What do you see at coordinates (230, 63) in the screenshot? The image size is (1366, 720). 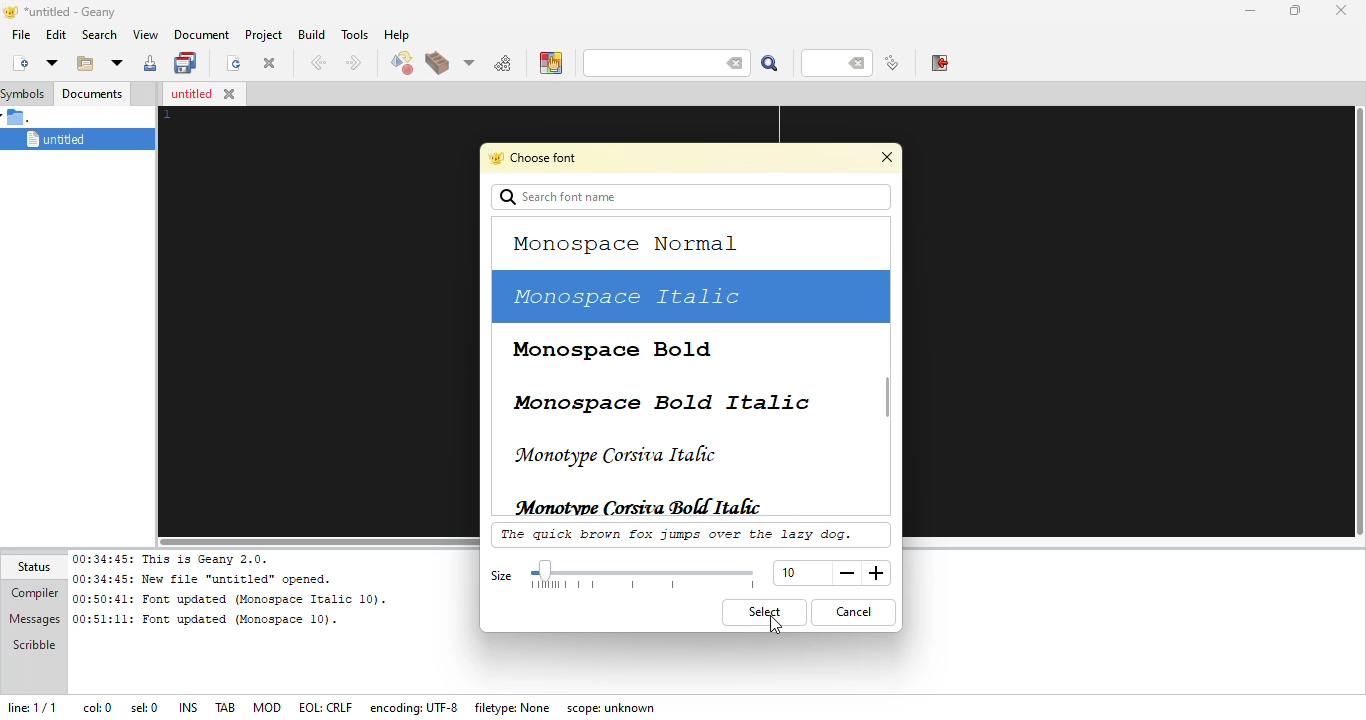 I see `reload` at bounding box center [230, 63].